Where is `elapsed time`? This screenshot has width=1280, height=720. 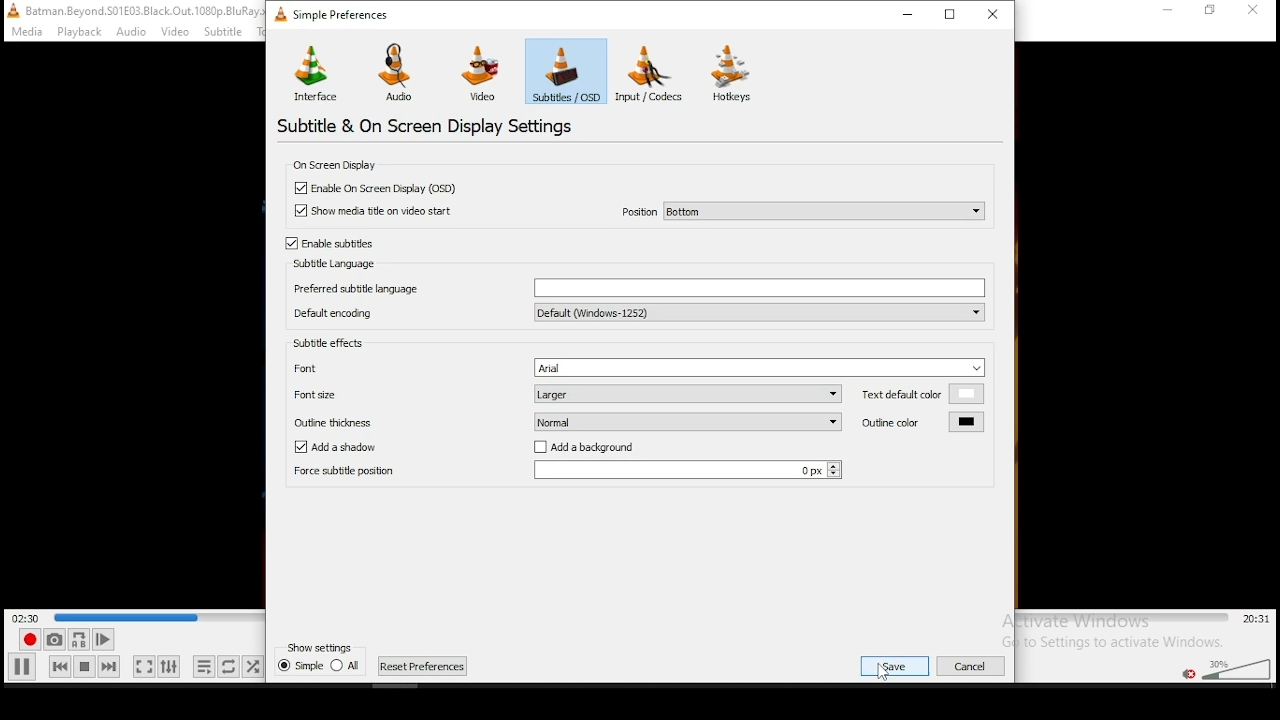
elapsed time is located at coordinates (27, 616).